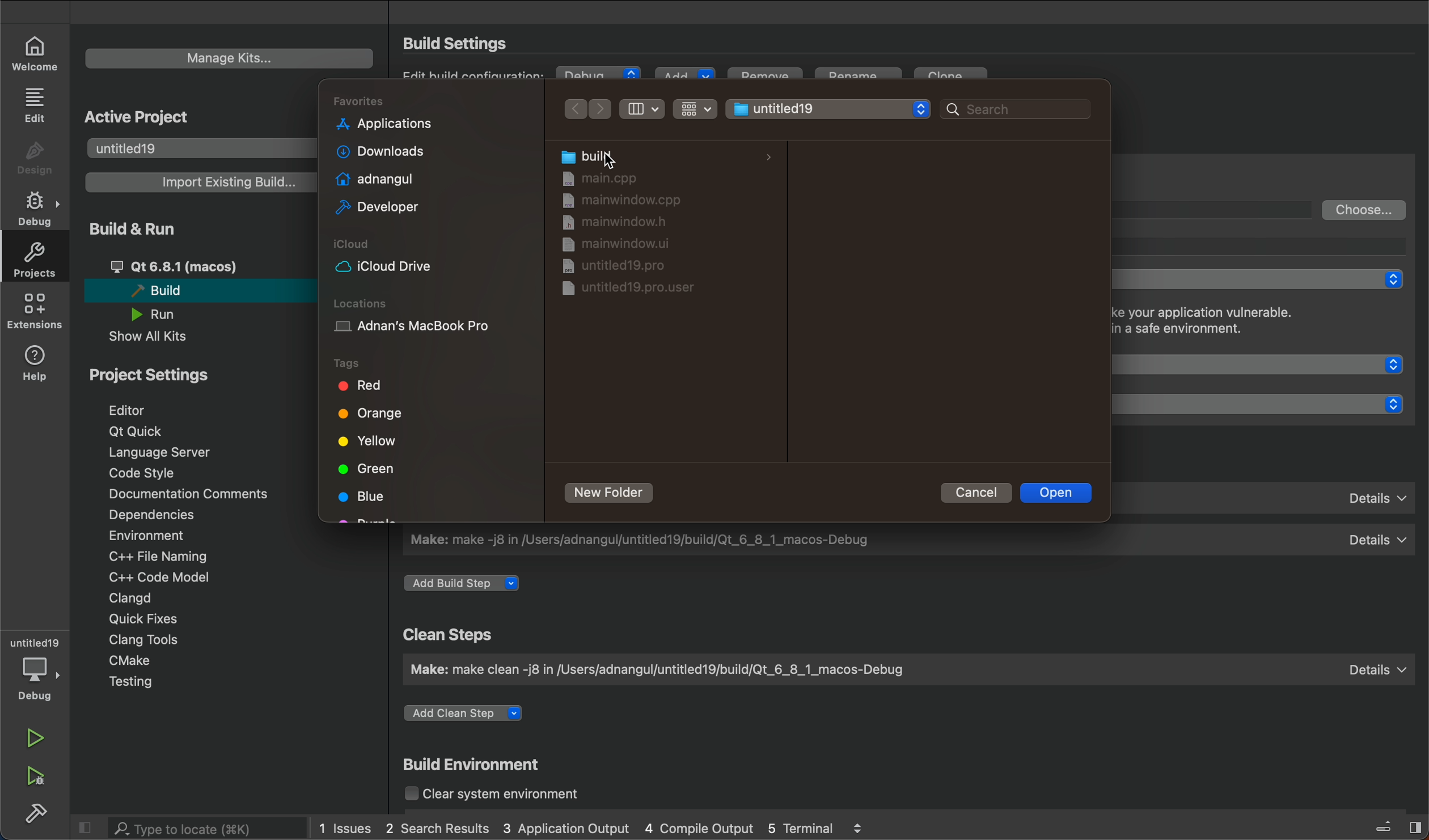 The width and height of the screenshot is (1429, 840). Describe the element at coordinates (39, 679) in the screenshot. I see `debug` at that location.